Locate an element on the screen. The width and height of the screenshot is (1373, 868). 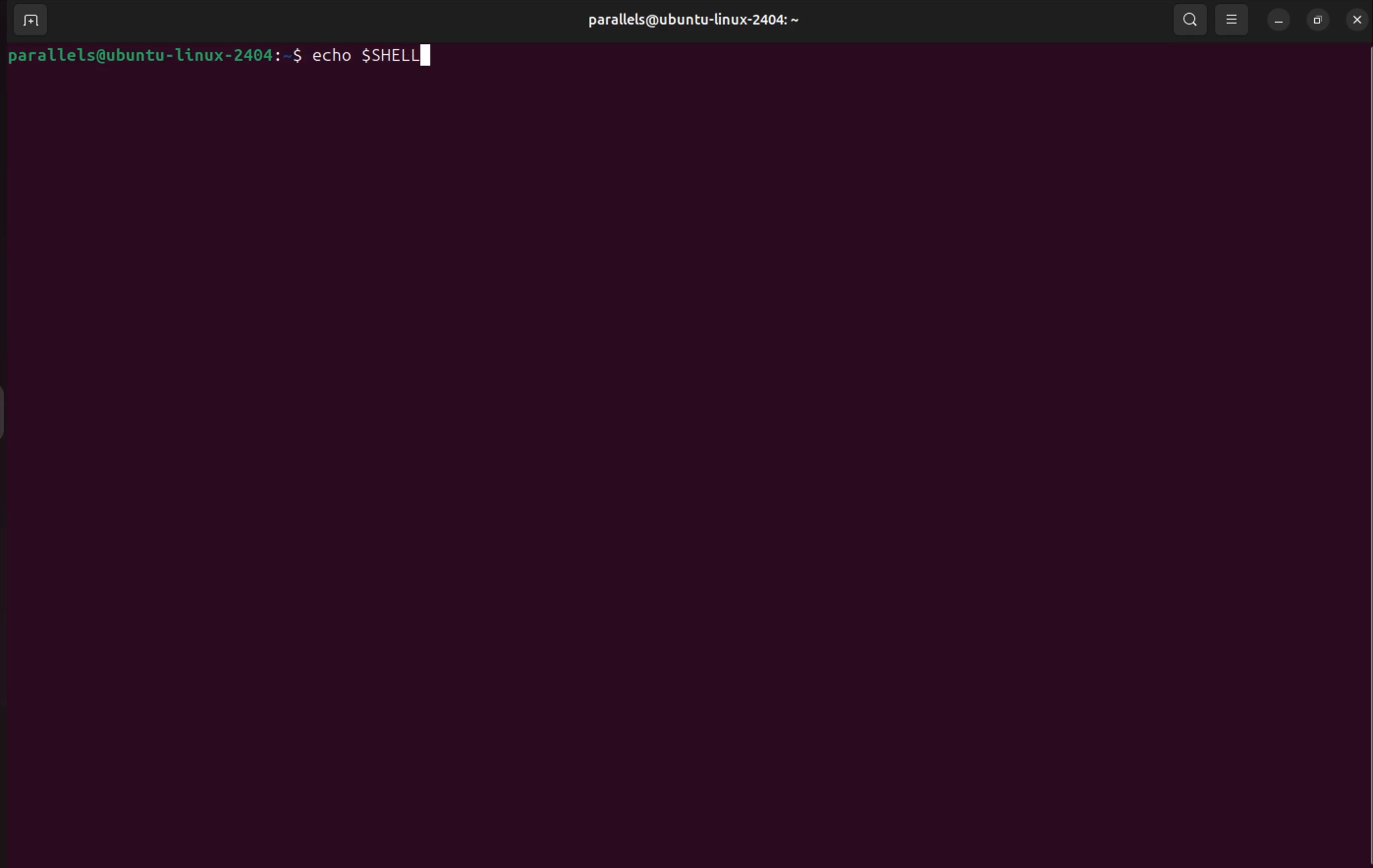
bash prompt is located at coordinates (154, 56).